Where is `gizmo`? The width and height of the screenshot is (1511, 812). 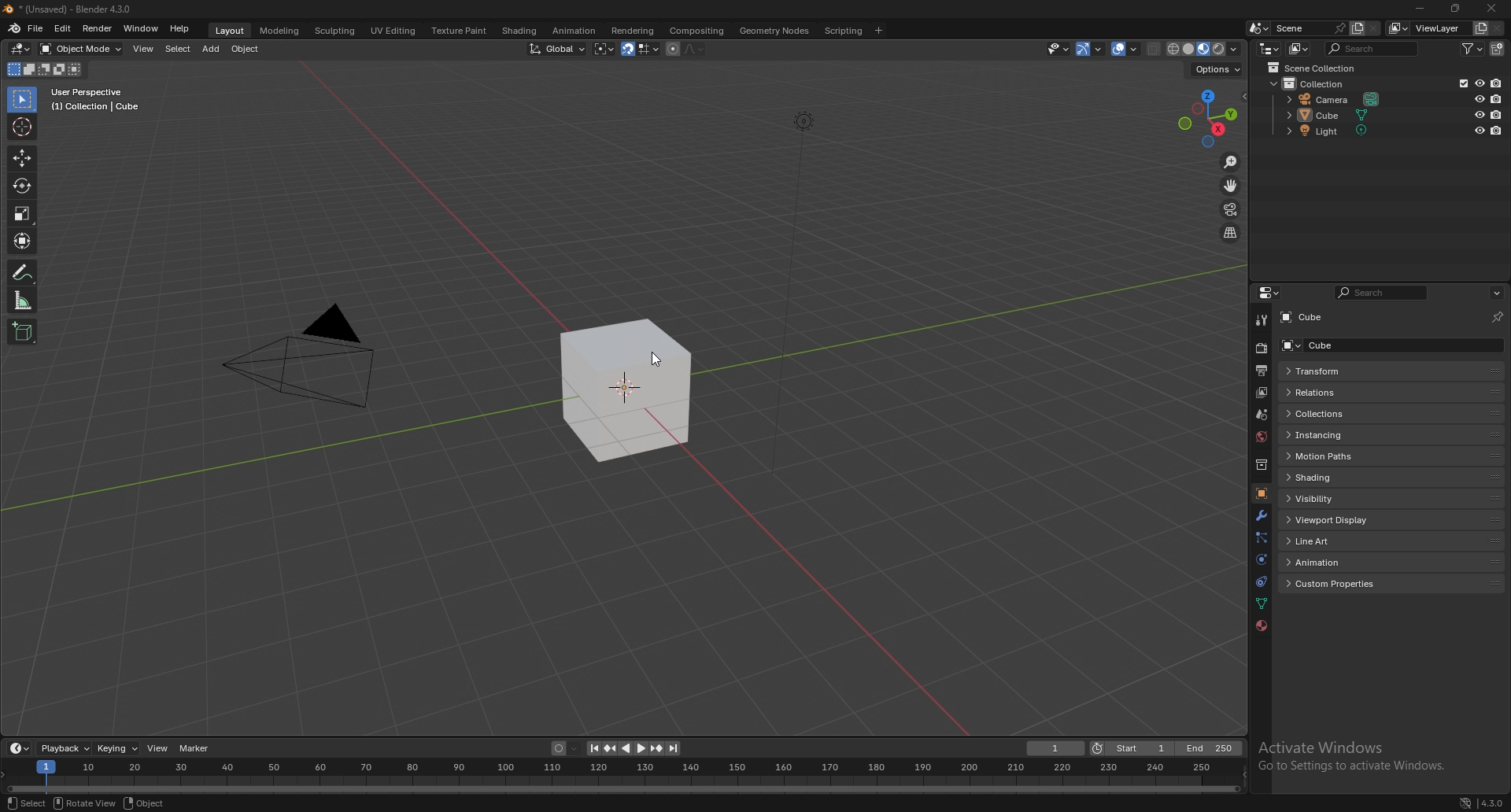 gizmo is located at coordinates (1093, 48).